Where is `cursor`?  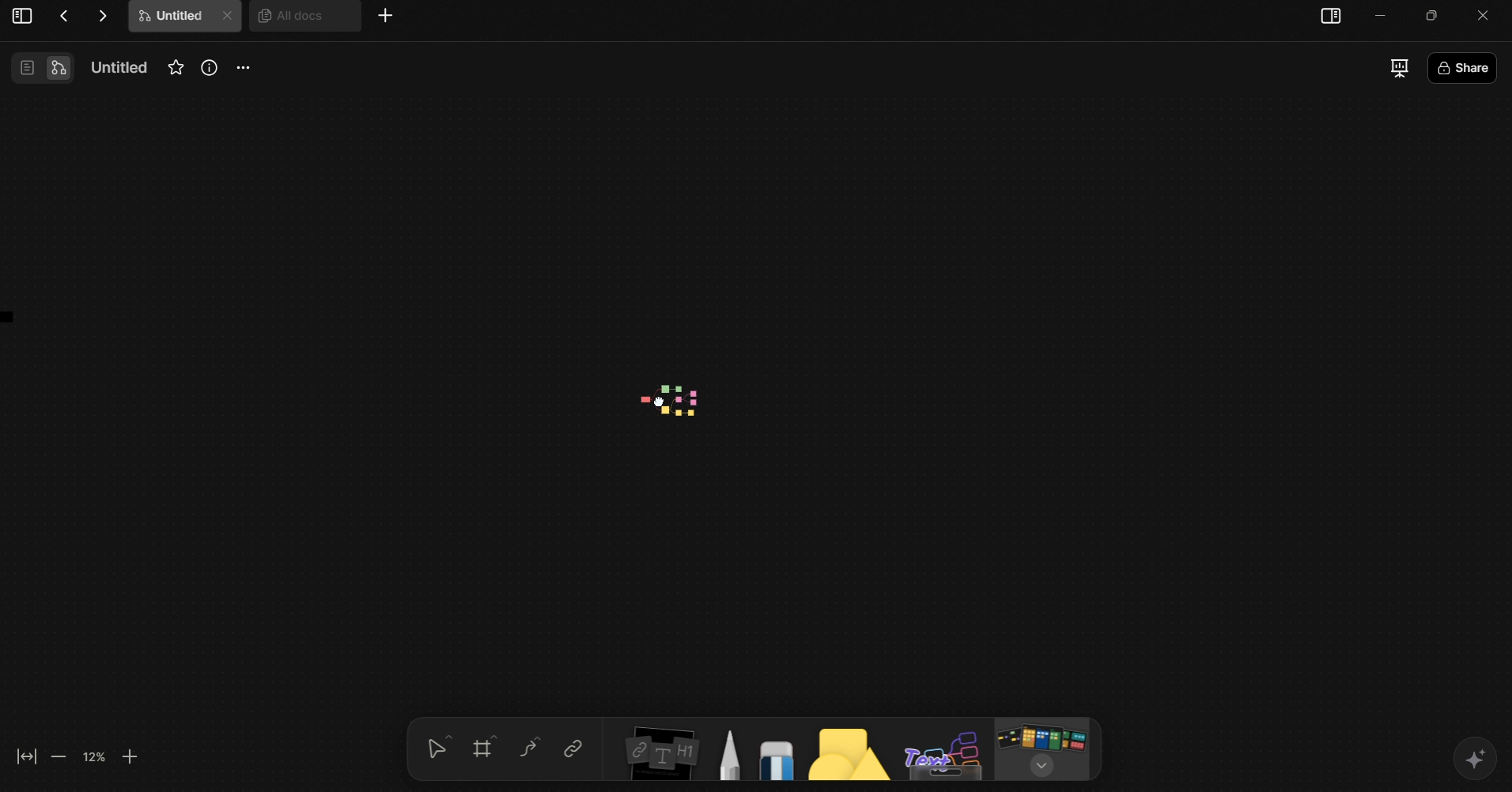
cursor is located at coordinates (660, 403).